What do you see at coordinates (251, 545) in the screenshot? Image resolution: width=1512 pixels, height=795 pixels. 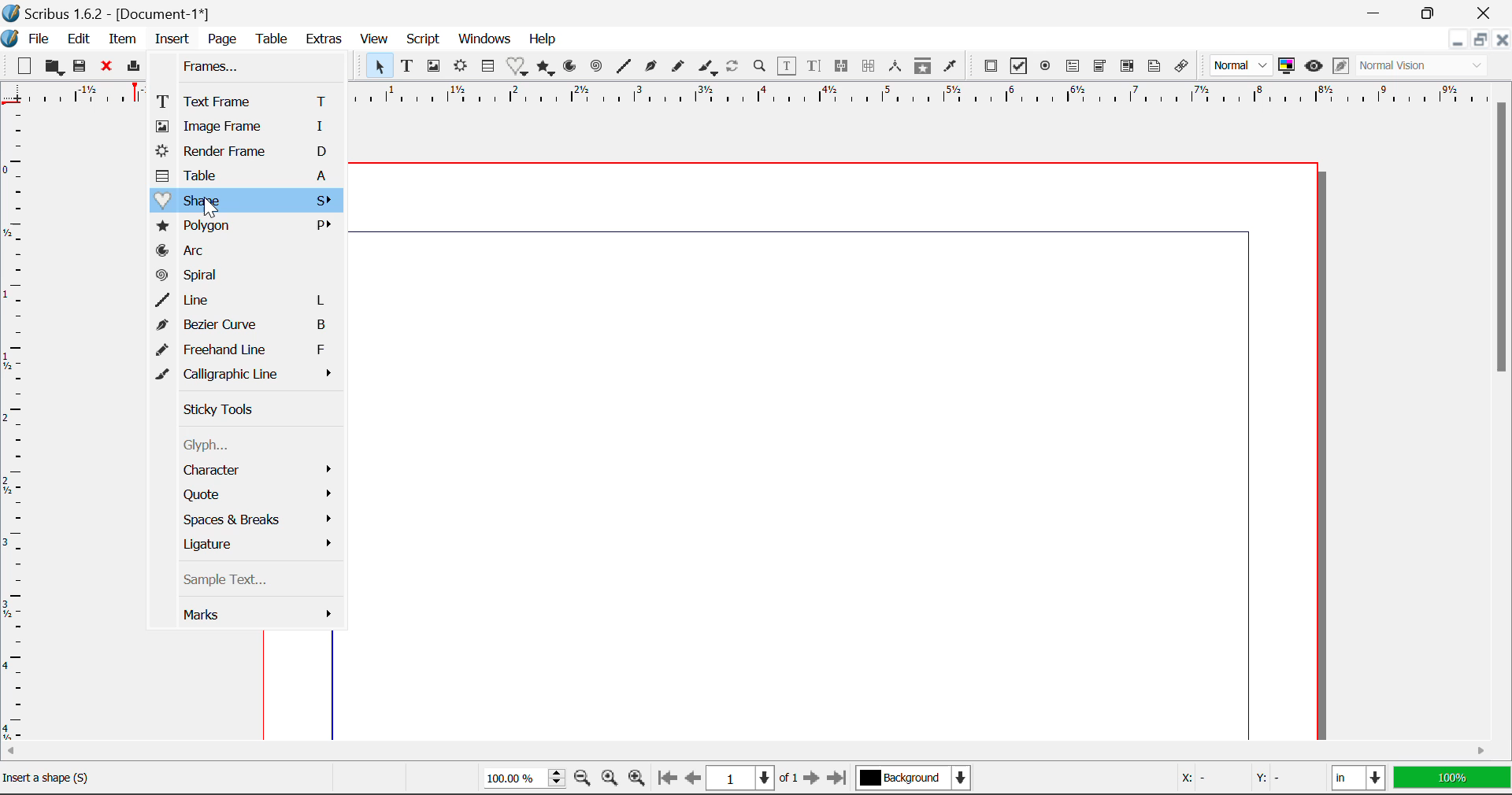 I see `Ligiature` at bounding box center [251, 545].